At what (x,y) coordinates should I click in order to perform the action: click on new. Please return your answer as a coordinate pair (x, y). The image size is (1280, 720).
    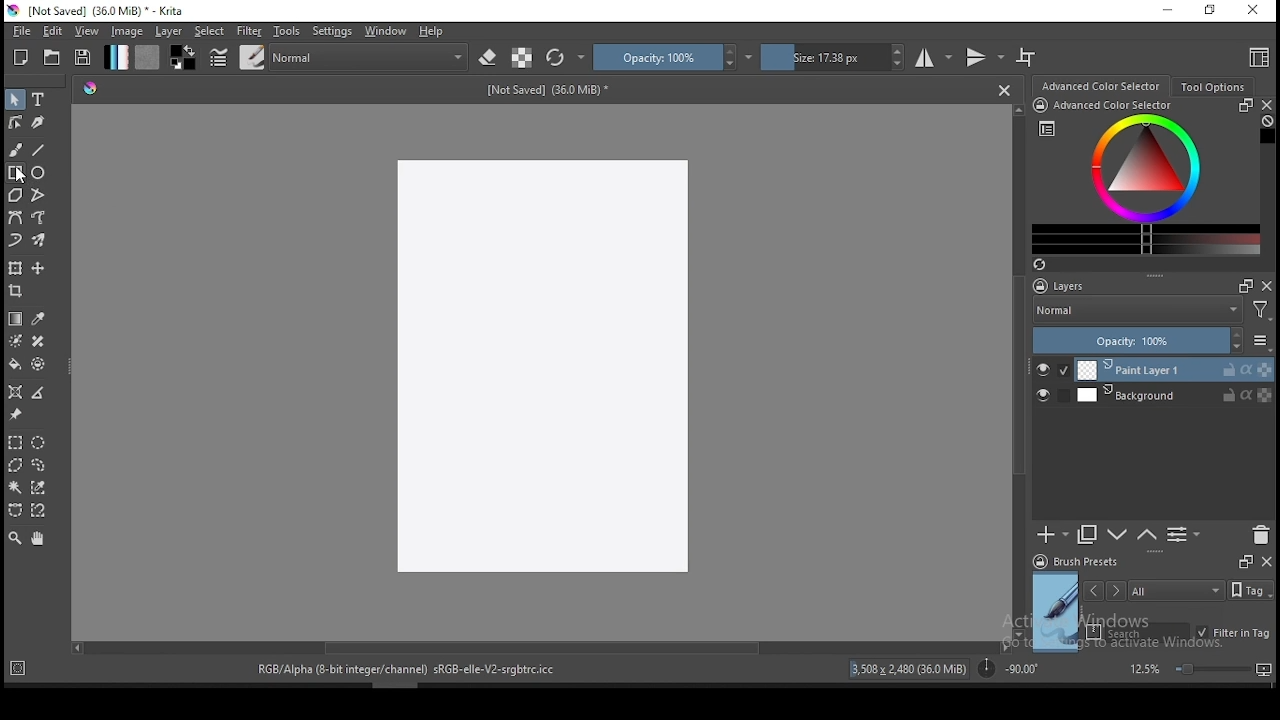
    Looking at the image, I should click on (21, 57).